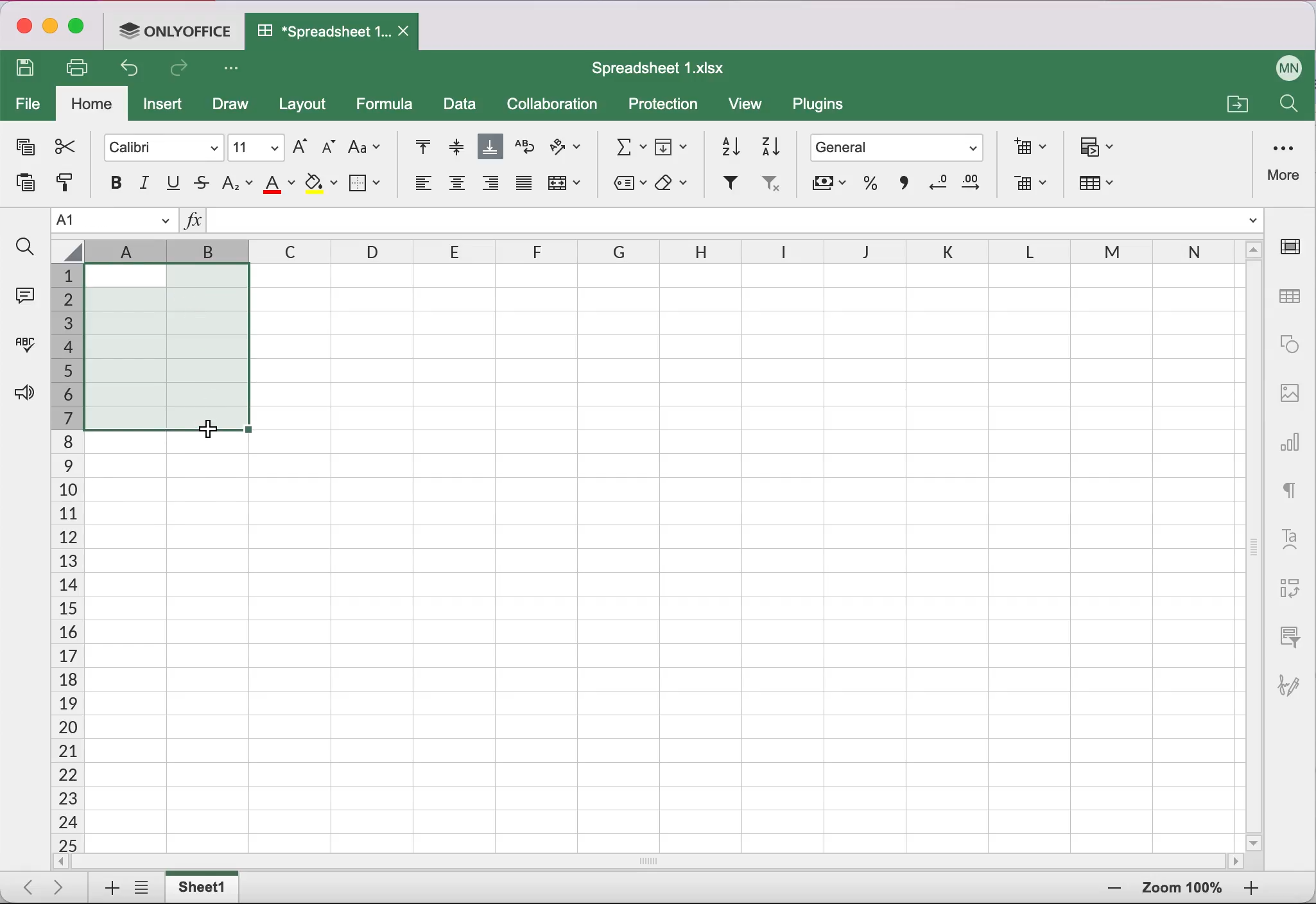  What do you see at coordinates (664, 861) in the screenshot?
I see `horizontal slider` at bounding box center [664, 861].